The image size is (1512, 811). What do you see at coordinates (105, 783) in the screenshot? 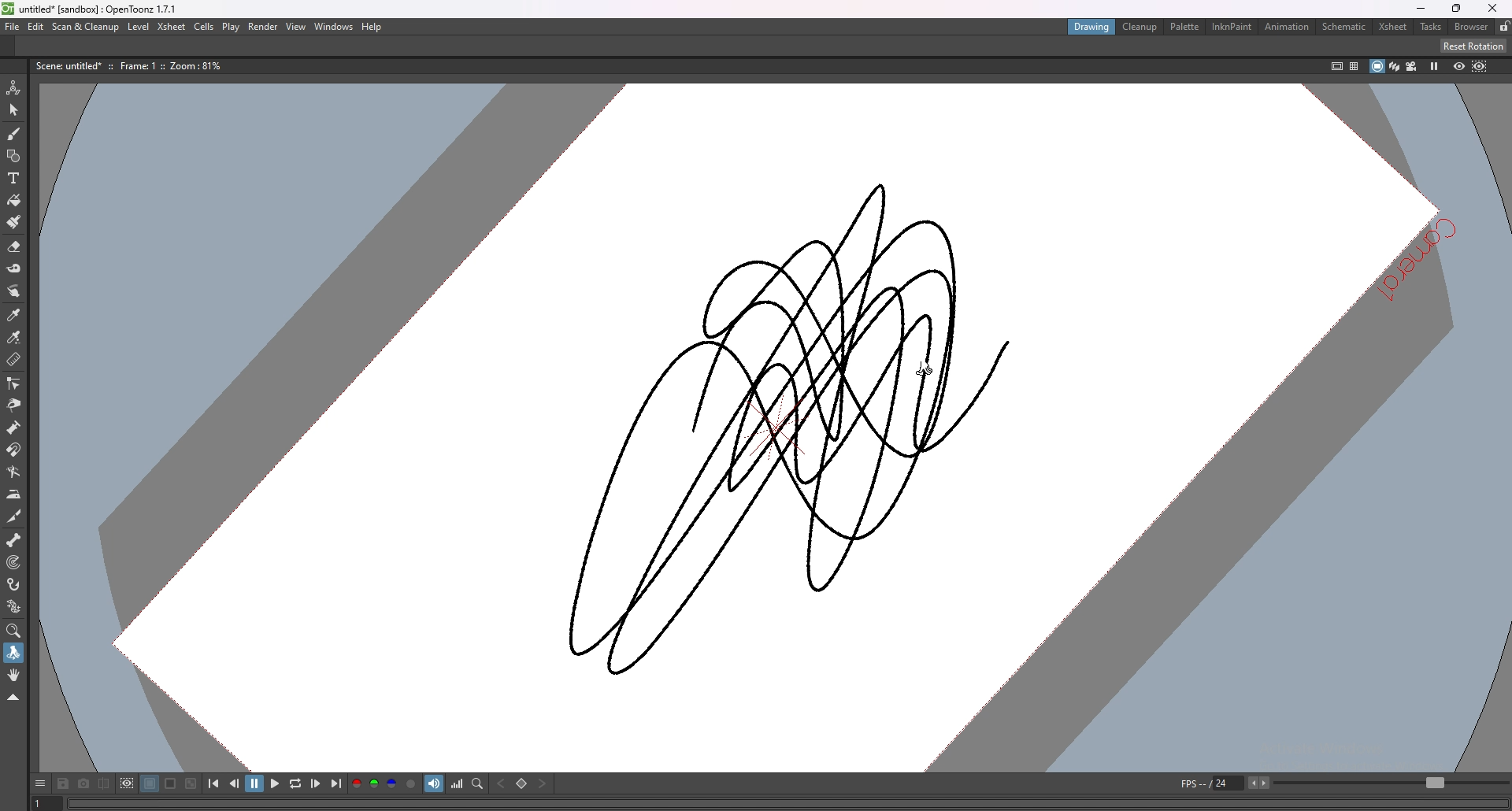
I see `compare to snapshot` at bounding box center [105, 783].